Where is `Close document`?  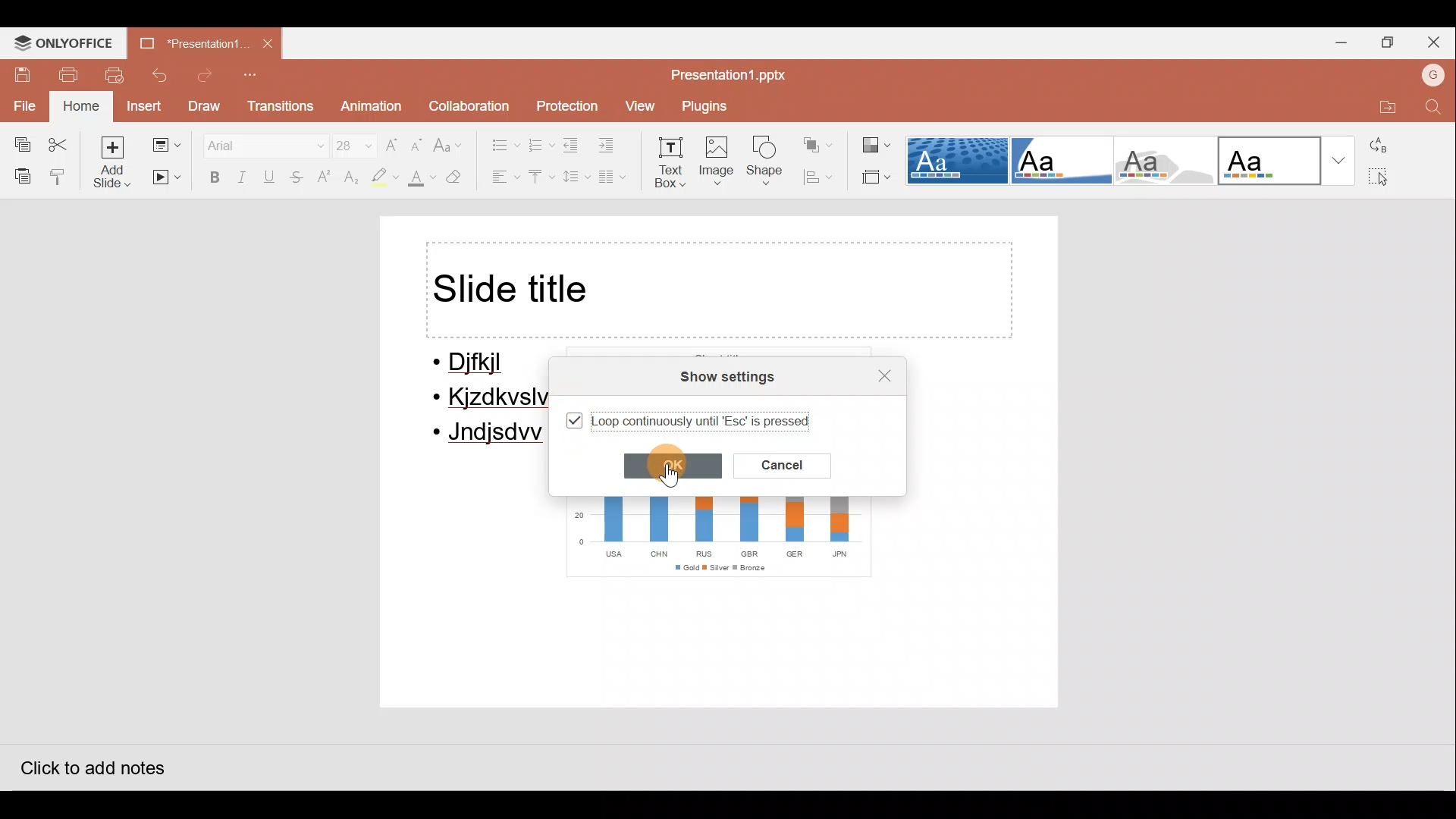 Close document is located at coordinates (267, 42).